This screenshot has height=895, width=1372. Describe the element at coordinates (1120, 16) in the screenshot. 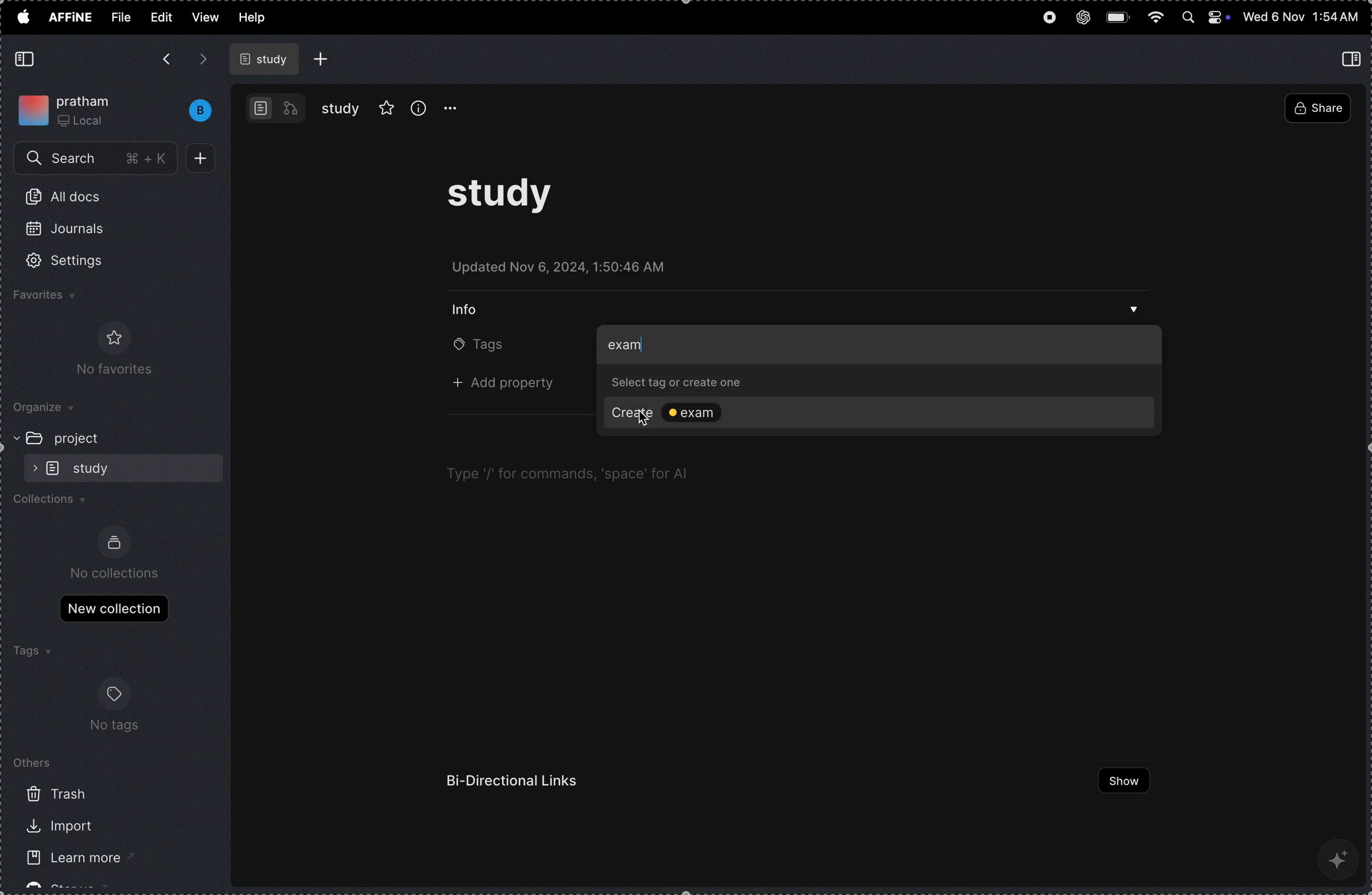

I see `battery` at that location.